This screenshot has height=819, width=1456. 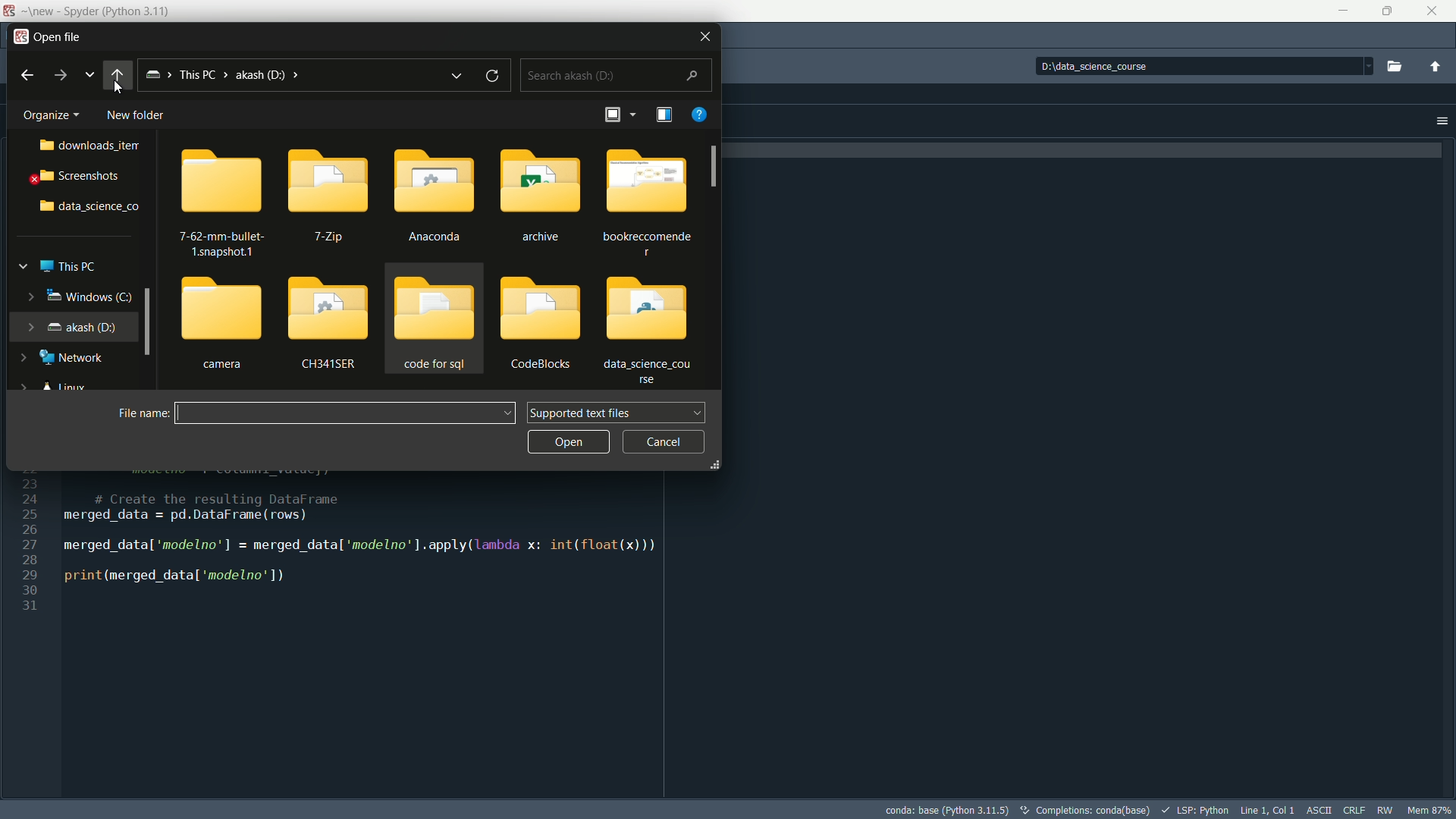 What do you see at coordinates (87, 326) in the screenshot?
I see `akash(D)` at bounding box center [87, 326].